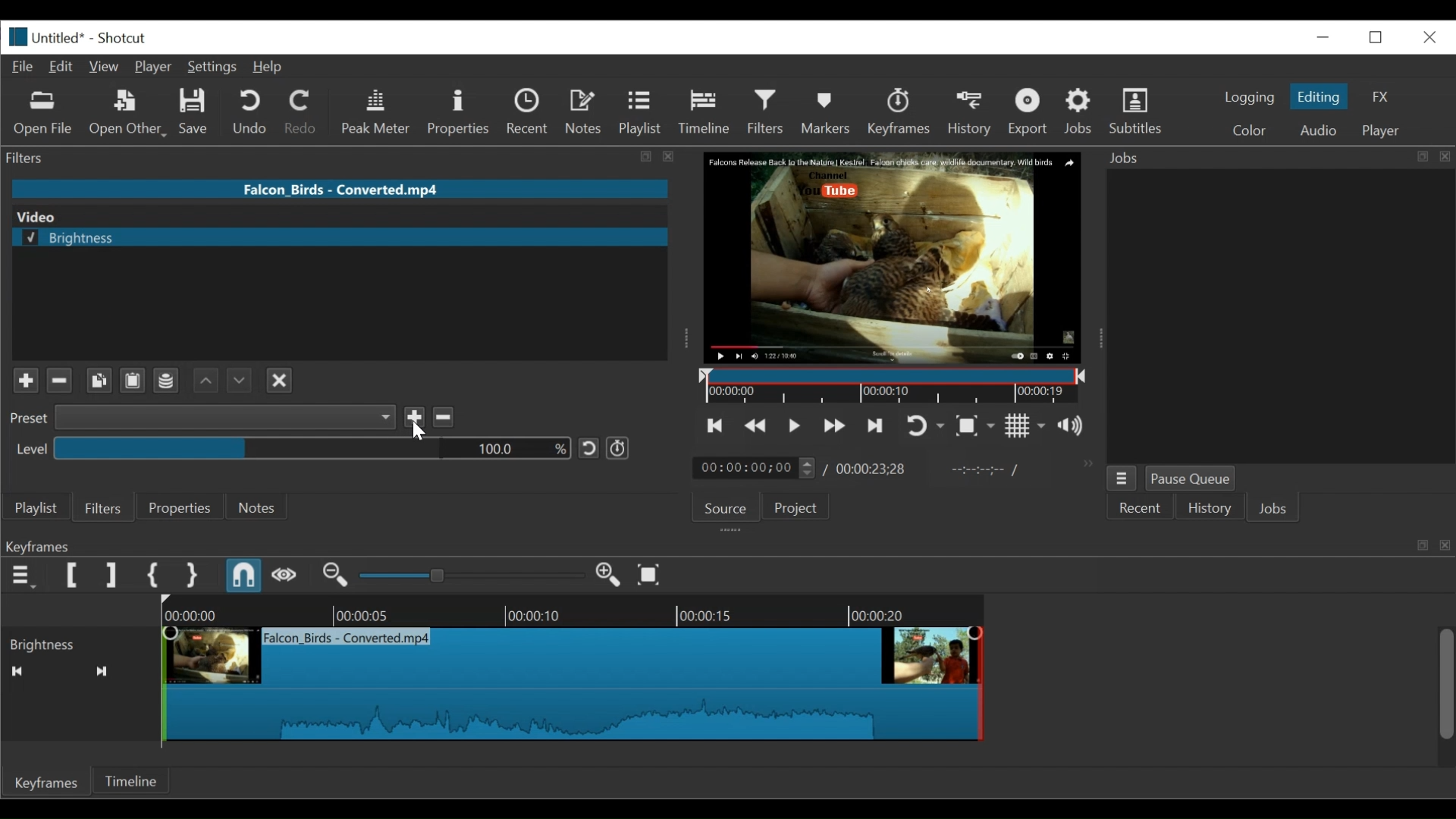 The height and width of the screenshot is (819, 1456). What do you see at coordinates (111, 576) in the screenshot?
I see `Set Filter last` at bounding box center [111, 576].